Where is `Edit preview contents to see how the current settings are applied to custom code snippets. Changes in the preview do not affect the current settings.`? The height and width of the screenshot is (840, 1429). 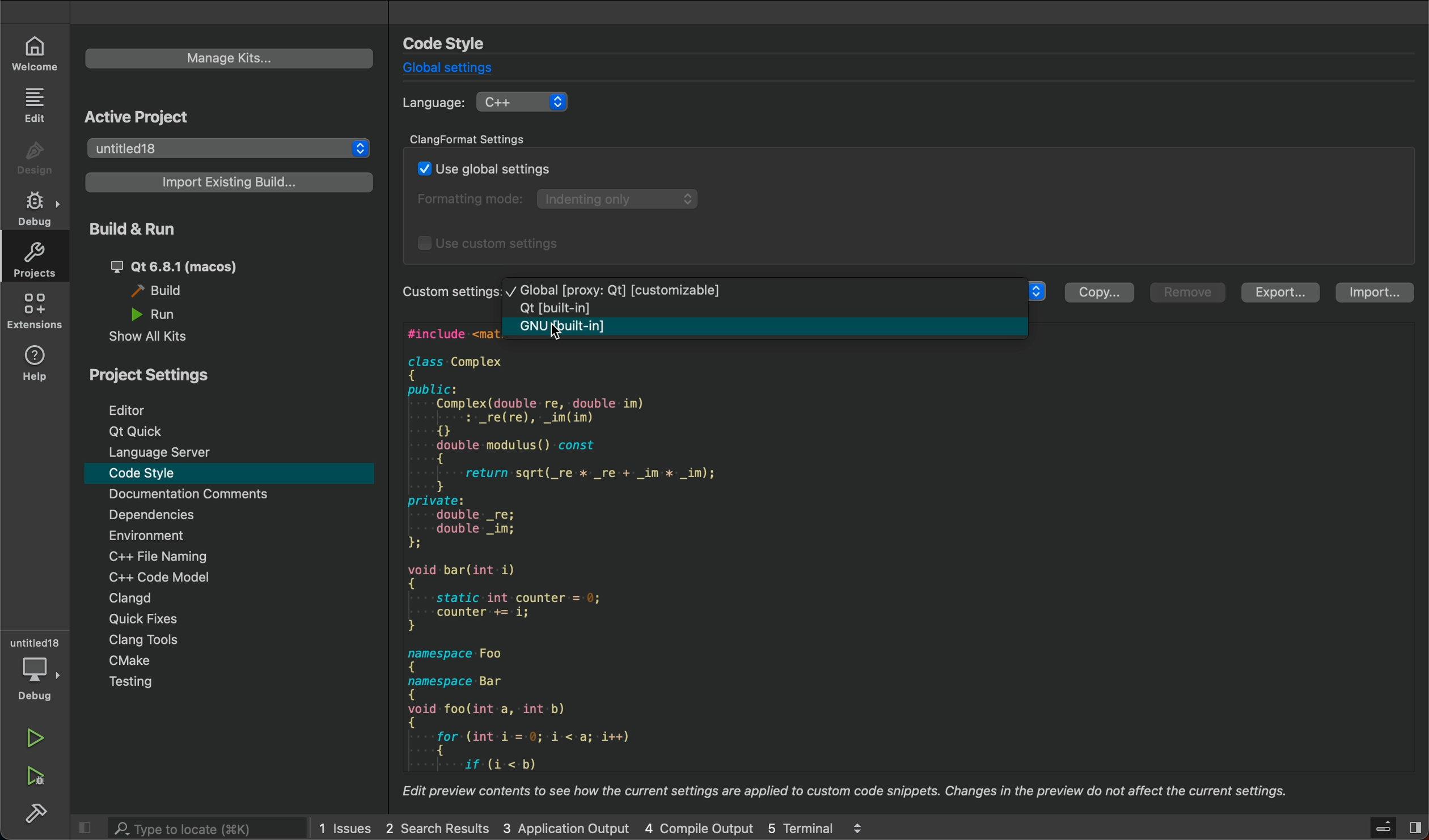 Edit preview contents to see how the current settings are applied to custom code snippets. Changes in the preview do not affect the current settings. is located at coordinates (849, 791).